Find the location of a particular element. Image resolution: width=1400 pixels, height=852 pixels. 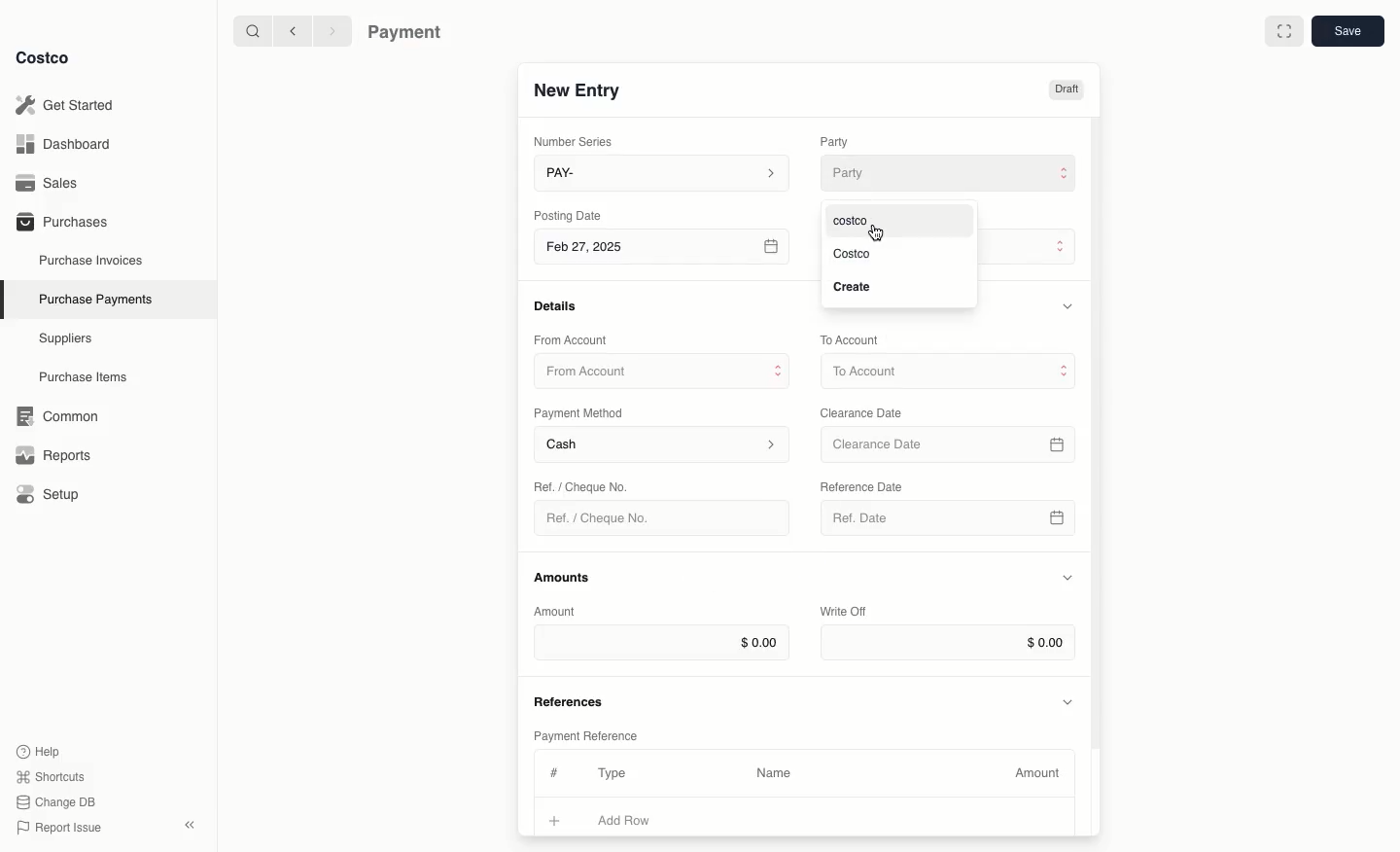

Draft is located at coordinates (1066, 89).